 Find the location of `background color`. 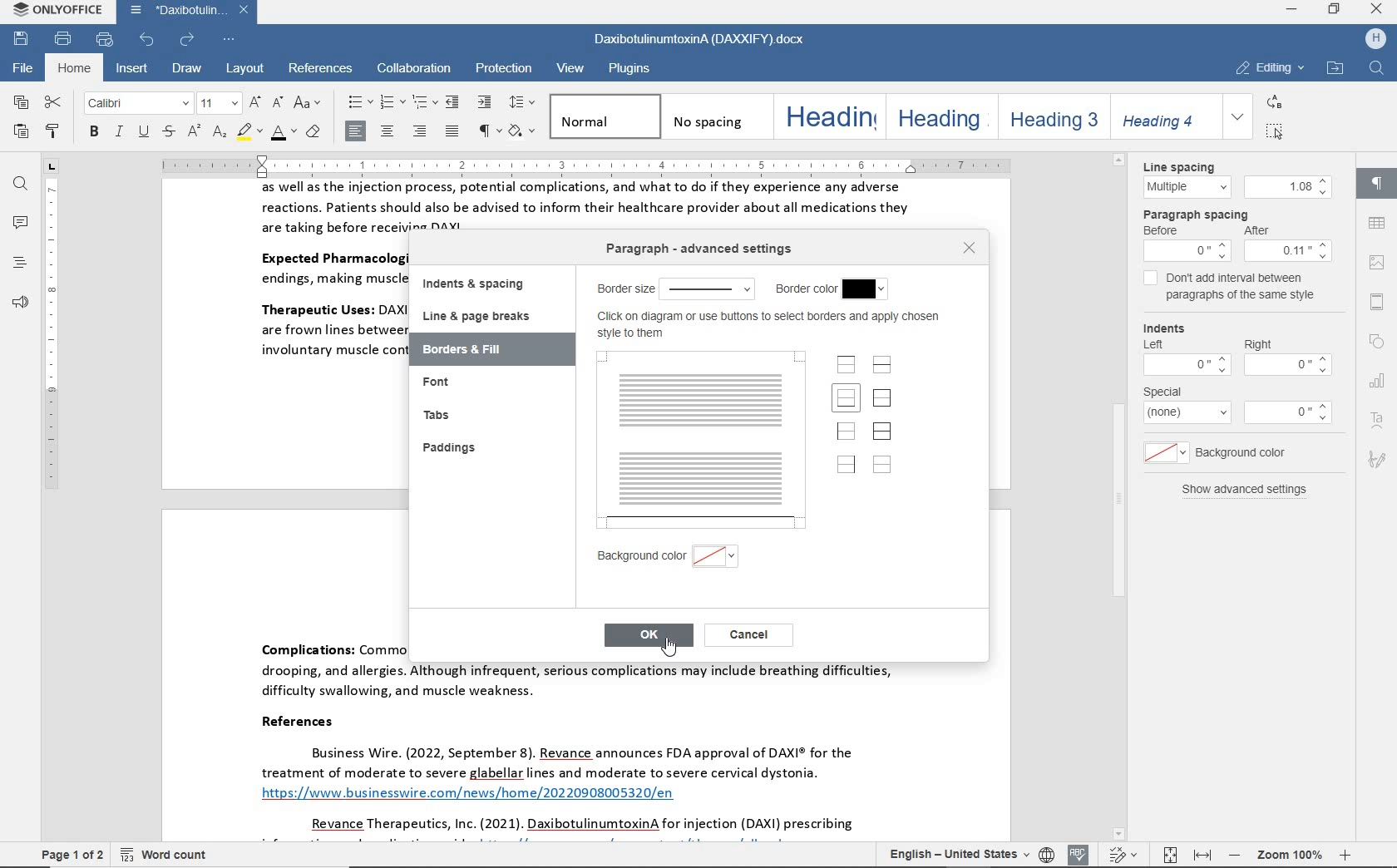

background color is located at coordinates (1222, 451).